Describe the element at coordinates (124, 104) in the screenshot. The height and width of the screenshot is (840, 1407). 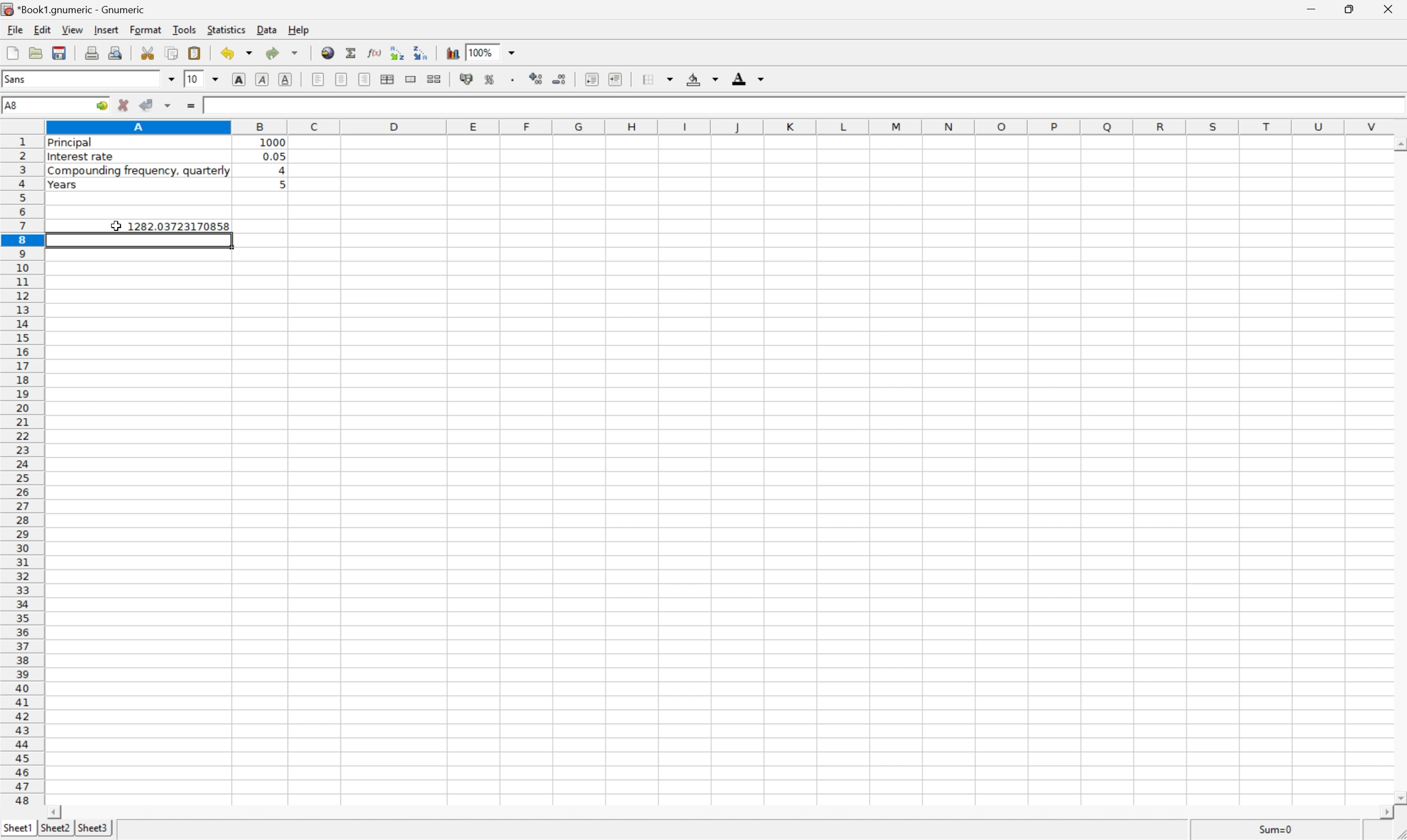
I see `cancel changes` at that location.